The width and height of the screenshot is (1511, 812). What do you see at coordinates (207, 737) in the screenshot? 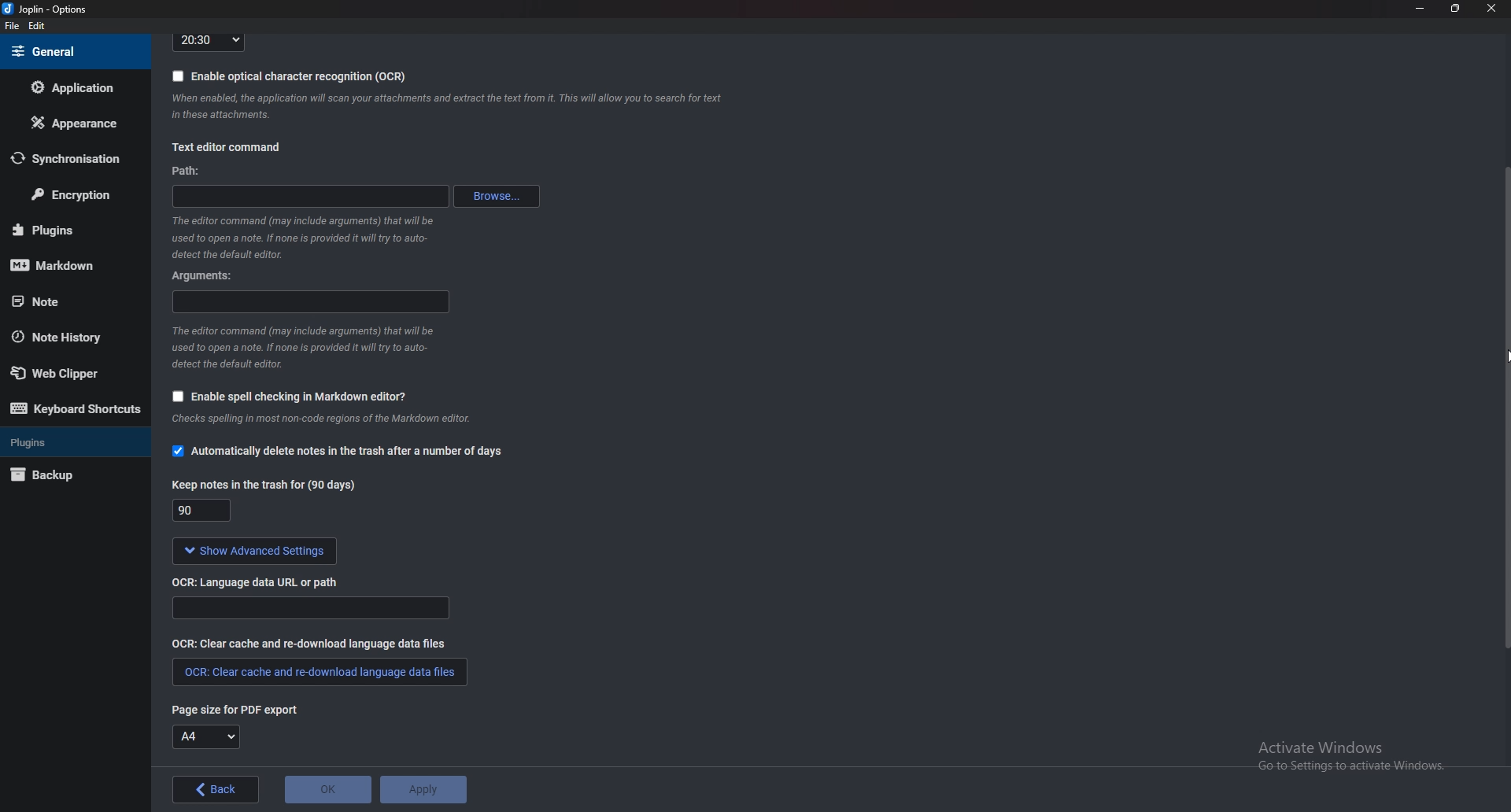
I see `a4` at bounding box center [207, 737].